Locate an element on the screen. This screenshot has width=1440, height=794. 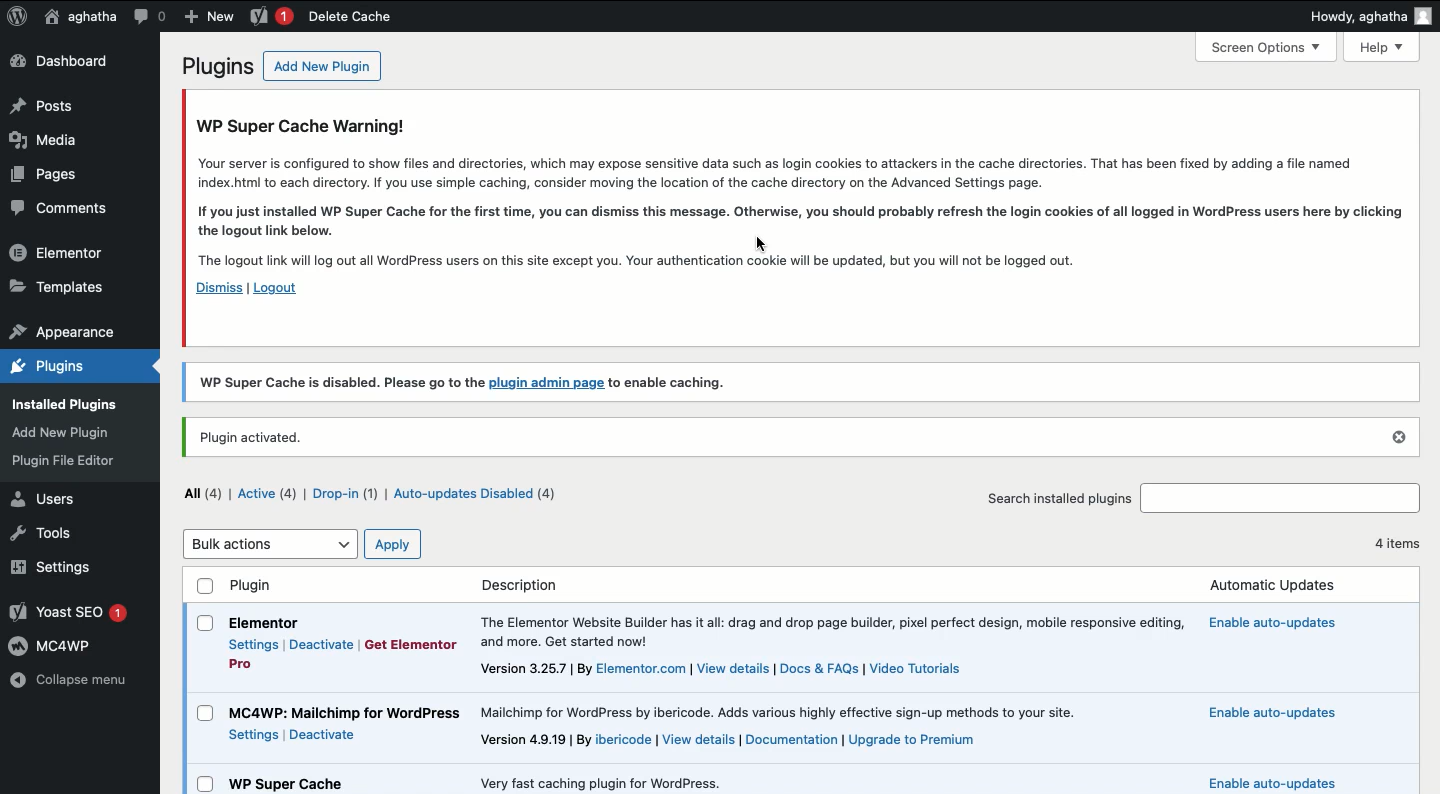
Plugin is located at coordinates (347, 712).